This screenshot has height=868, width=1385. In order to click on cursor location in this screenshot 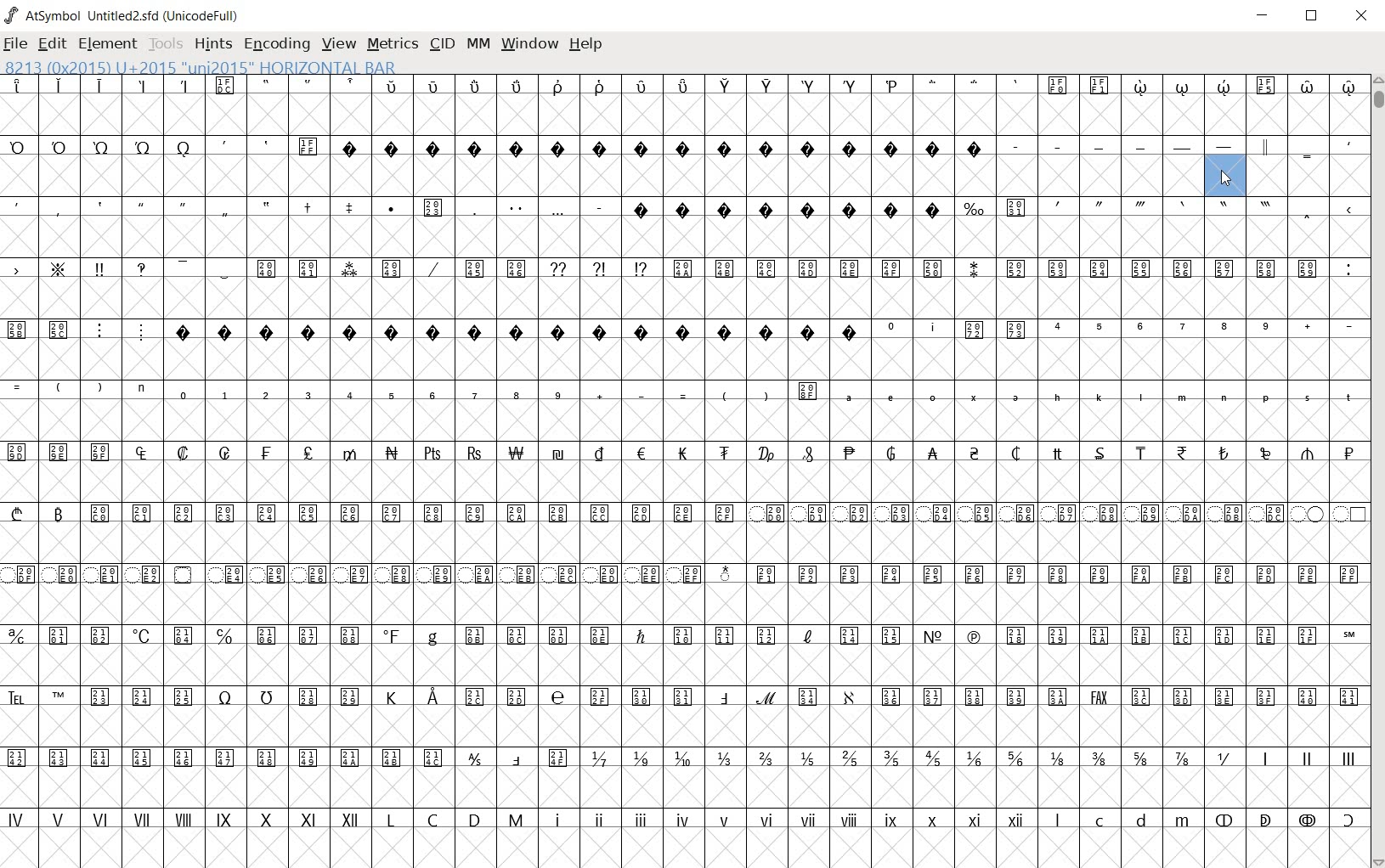, I will do `click(1224, 178)`.